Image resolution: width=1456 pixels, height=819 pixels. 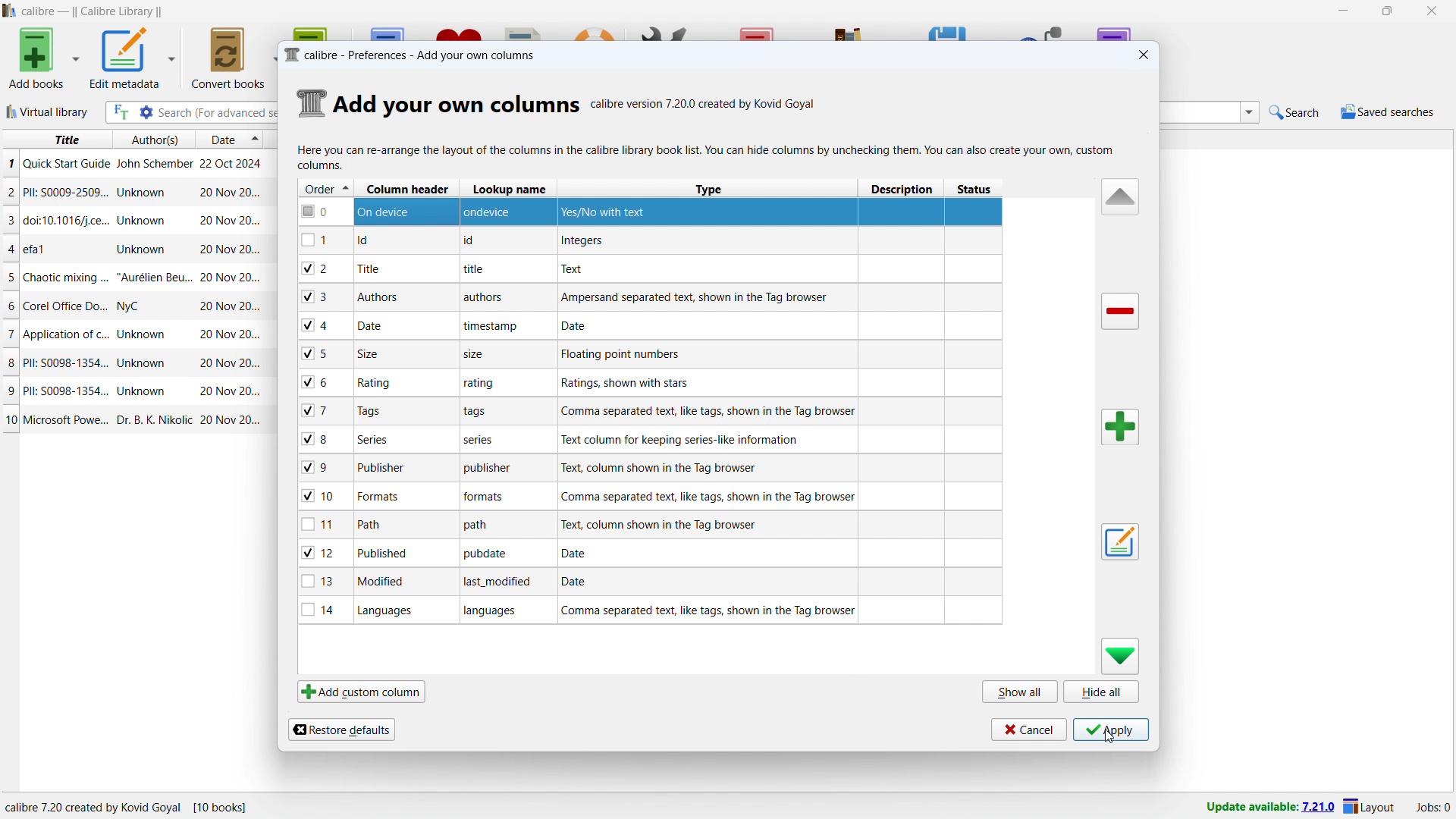 What do you see at coordinates (1341, 11) in the screenshot?
I see `minimize` at bounding box center [1341, 11].